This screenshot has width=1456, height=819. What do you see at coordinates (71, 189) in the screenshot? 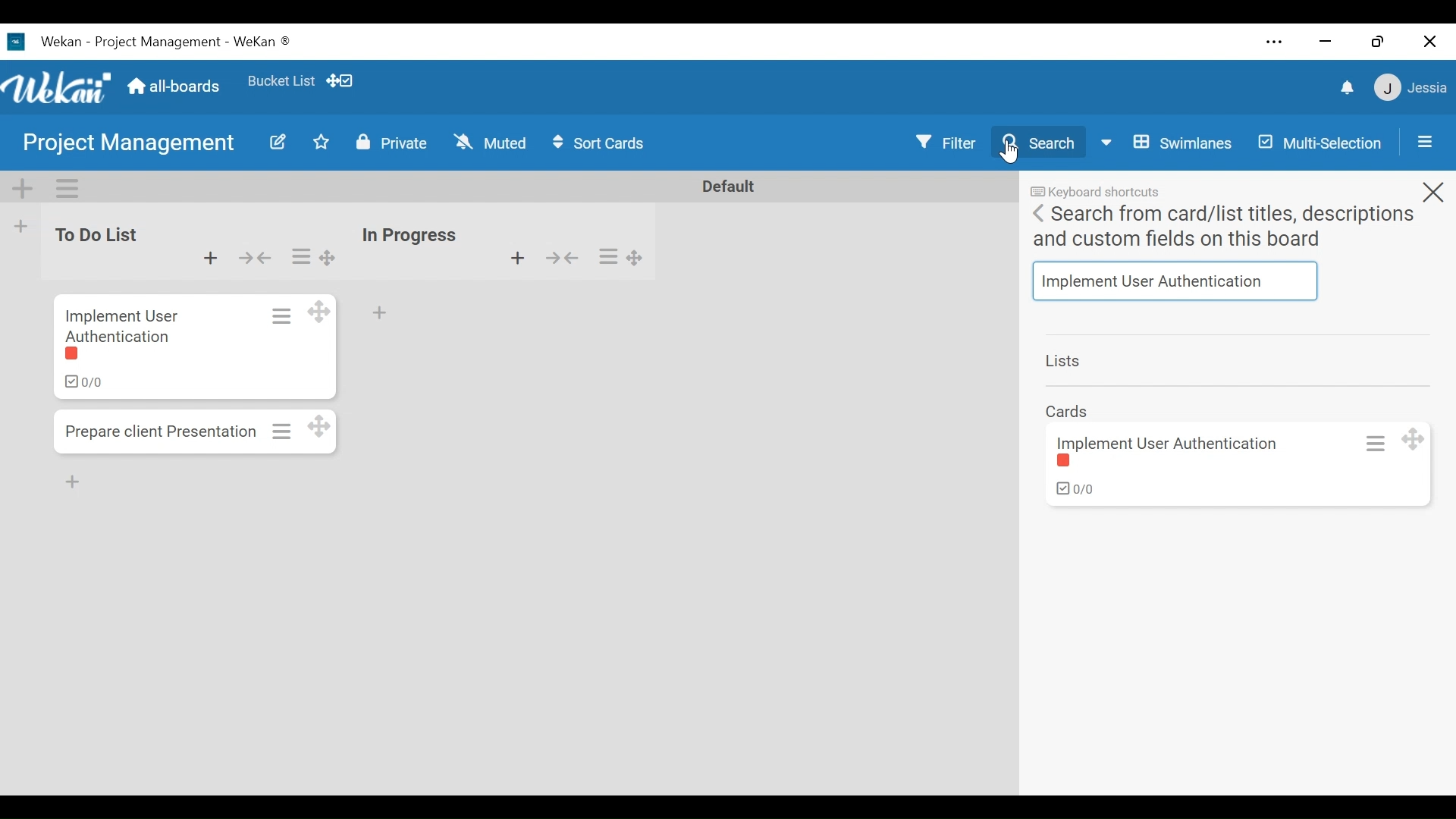
I see `Swimlane actions` at bounding box center [71, 189].